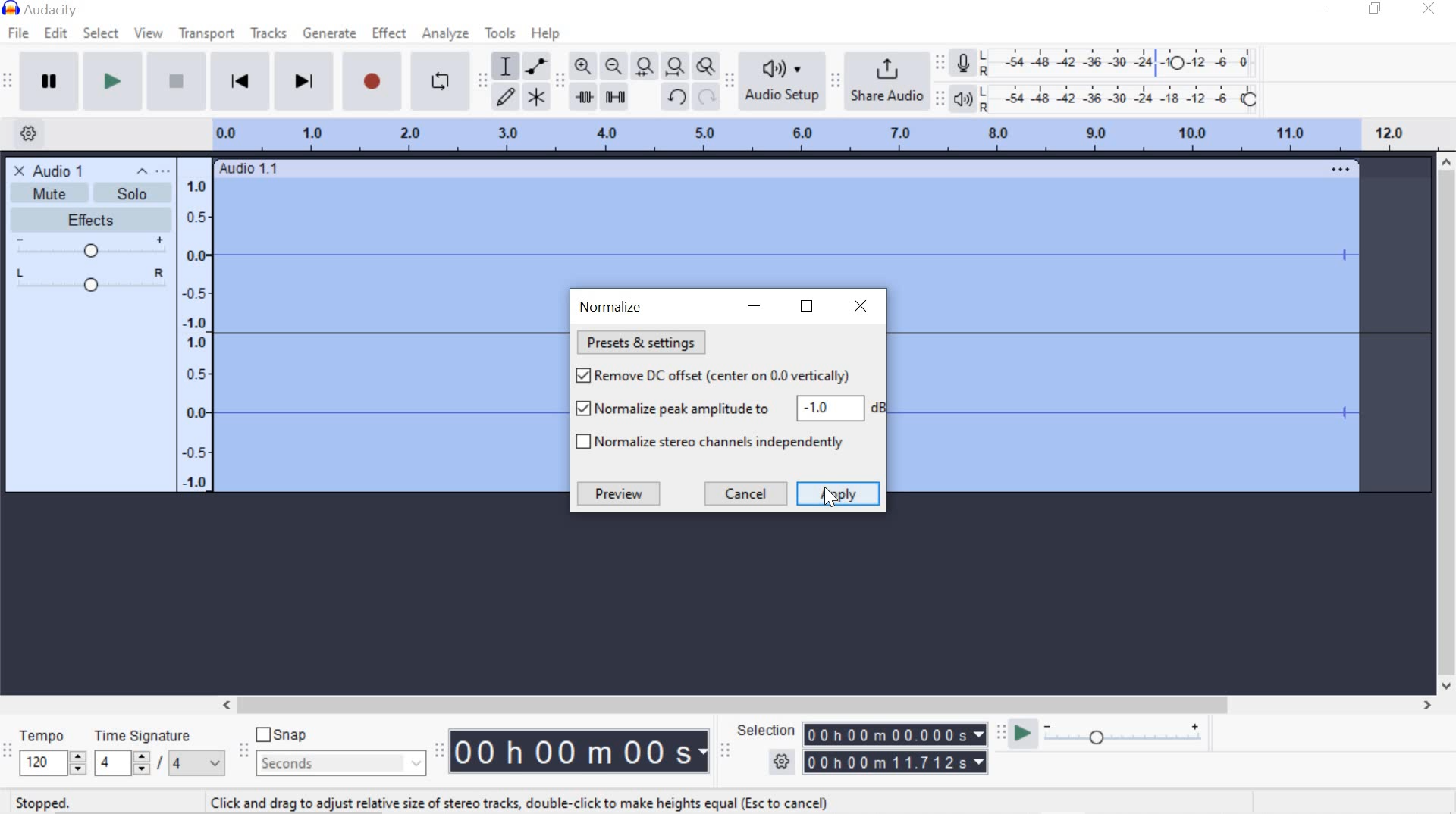 The image size is (1456, 814). I want to click on Selection Toolbar, so click(724, 750).